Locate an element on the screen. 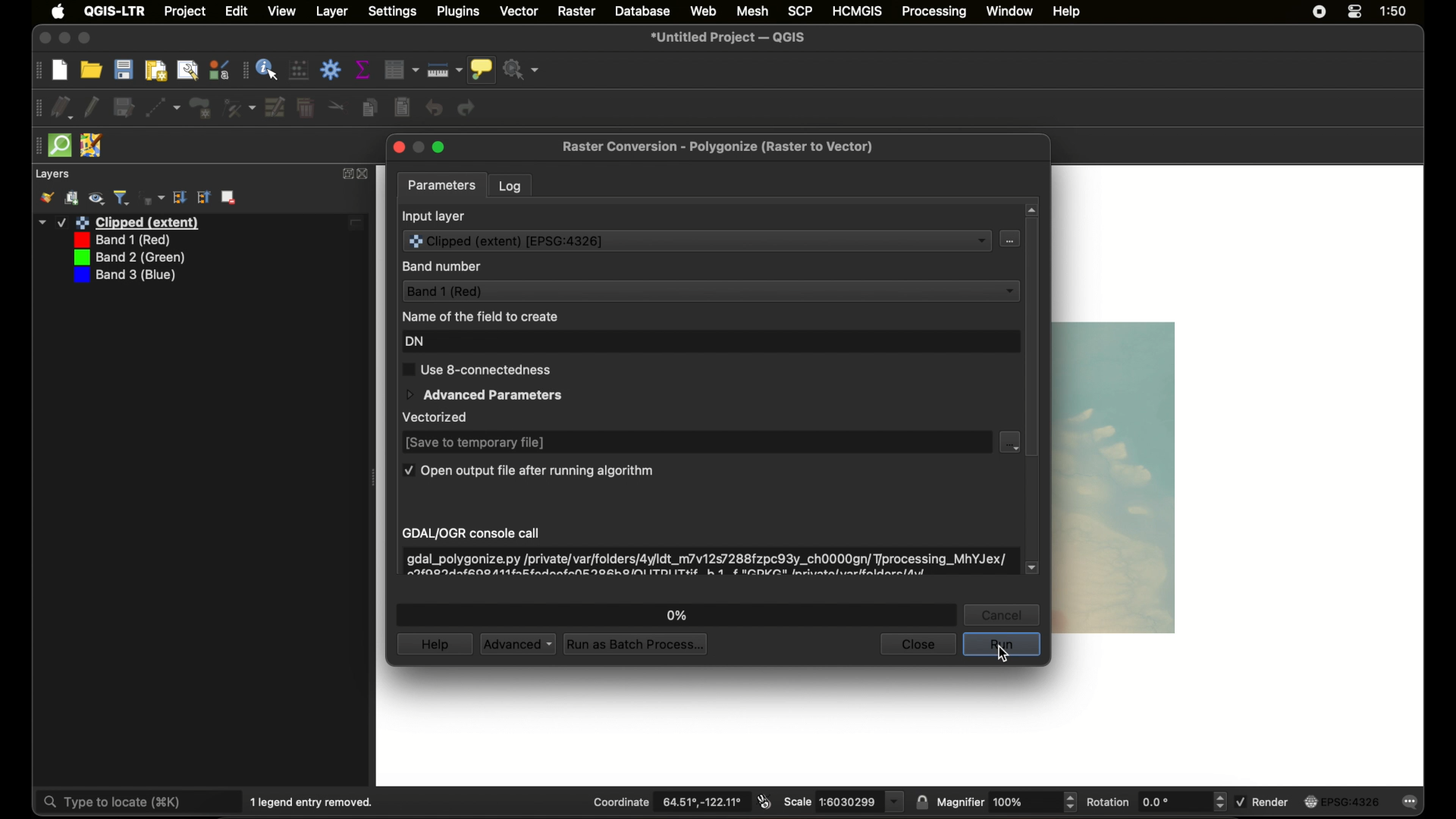 Image resolution: width=1456 pixels, height=819 pixels. drag handle is located at coordinates (37, 71).